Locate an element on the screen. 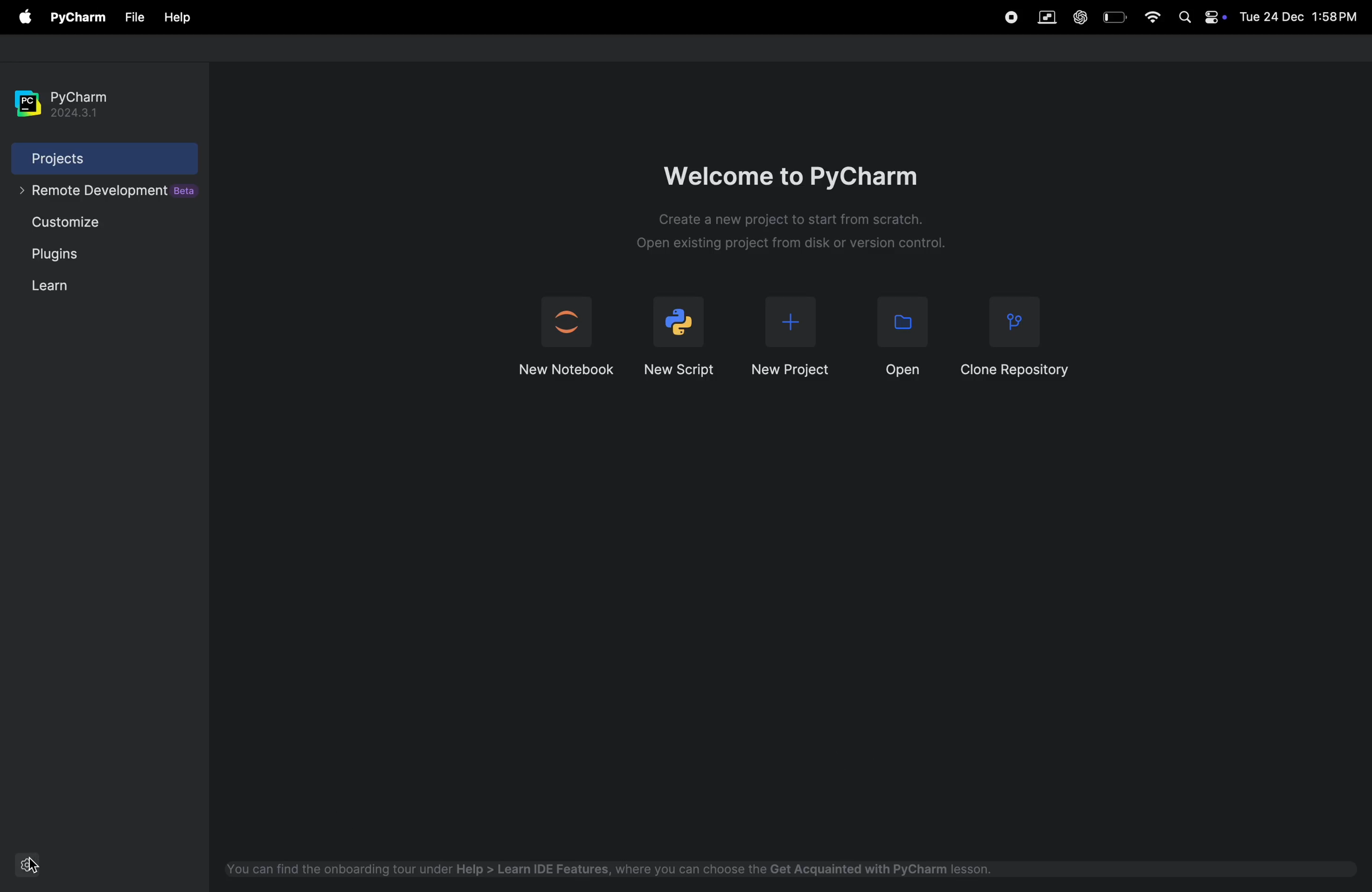 The image size is (1372, 892). You can find the onboarding tour under Help > Learn IDE Features, where you can choose the Get Acquainted with PyCharm lesson. is located at coordinates (608, 868).